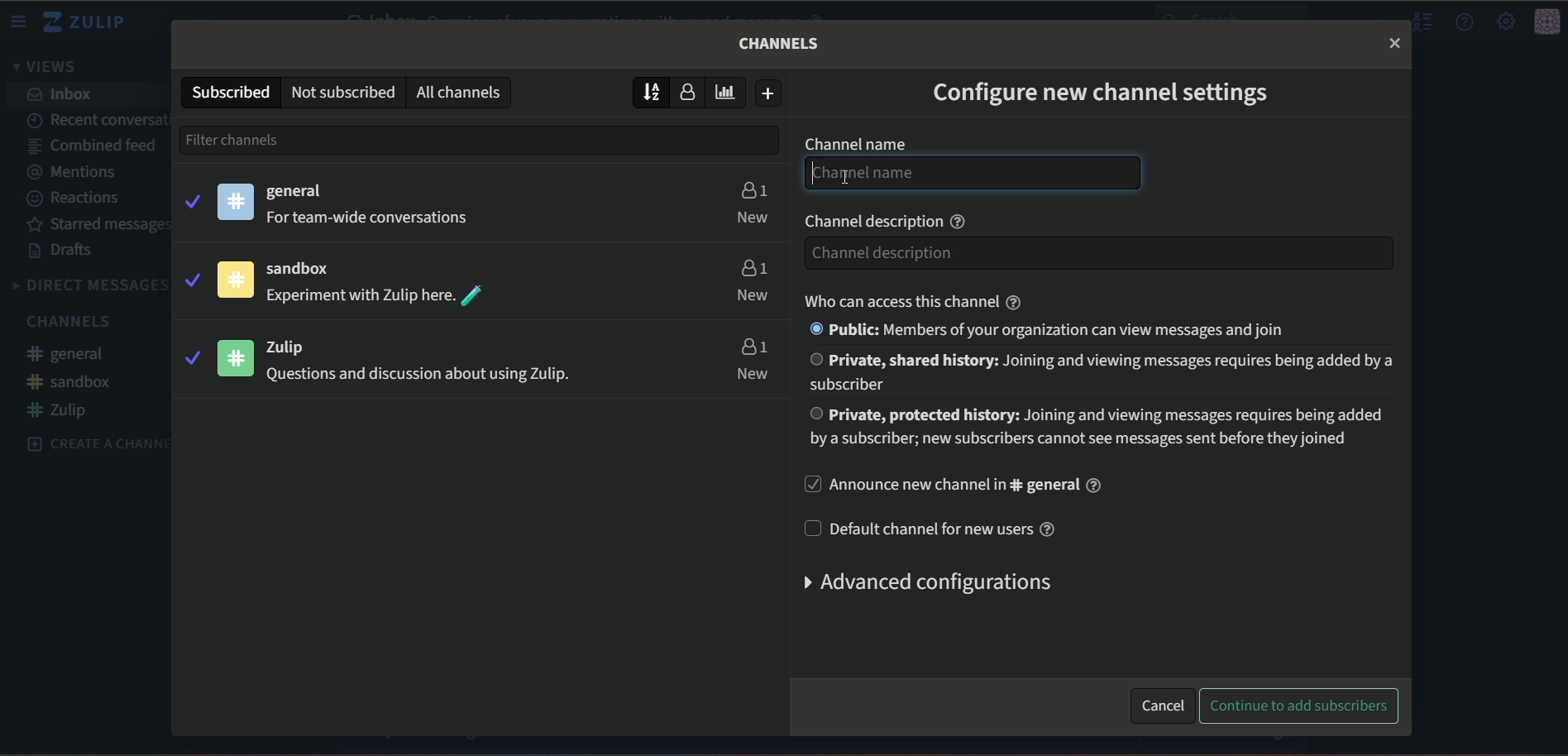 The height and width of the screenshot is (756, 1568). I want to click on all channels, so click(462, 92).